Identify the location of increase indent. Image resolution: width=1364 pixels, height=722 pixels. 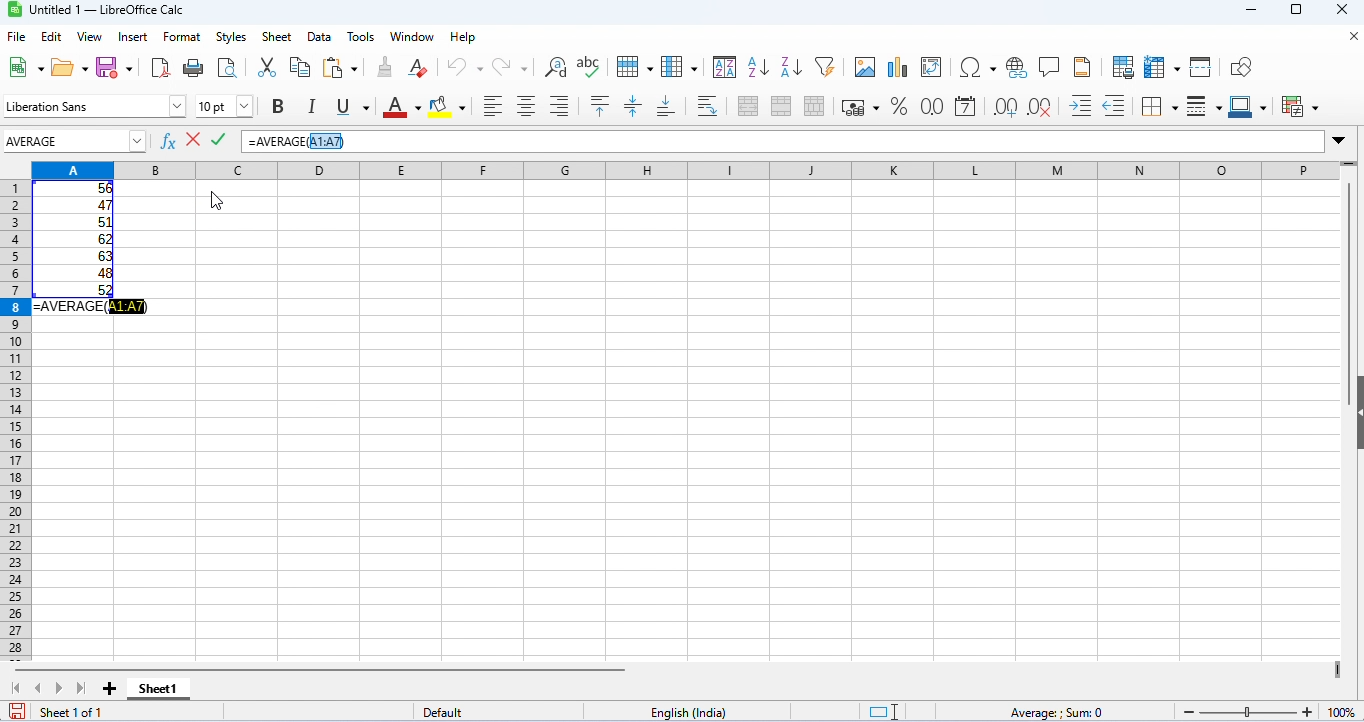
(1081, 104).